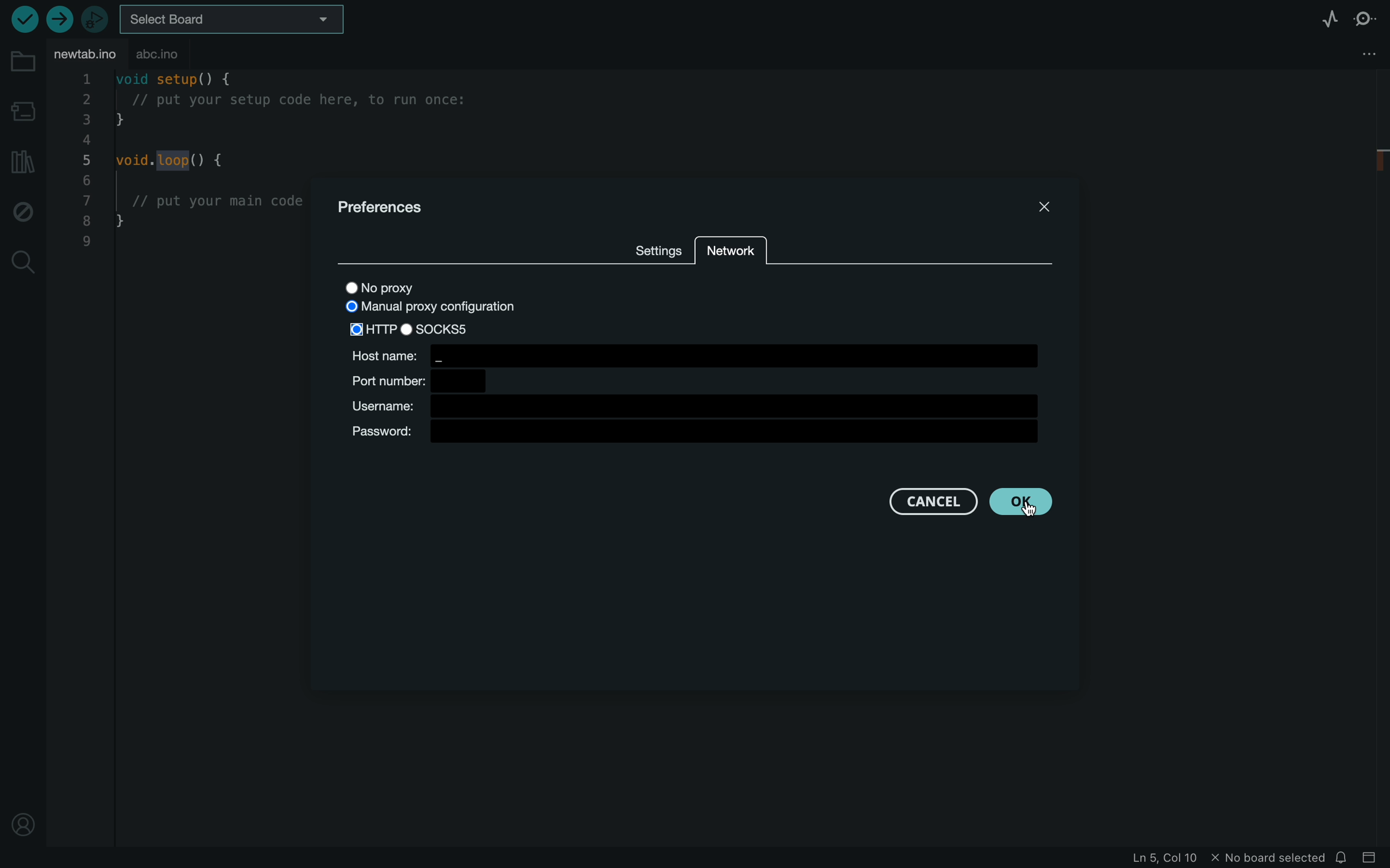 This screenshot has height=868, width=1390. Describe the element at coordinates (1359, 53) in the screenshot. I see `file setting` at that location.